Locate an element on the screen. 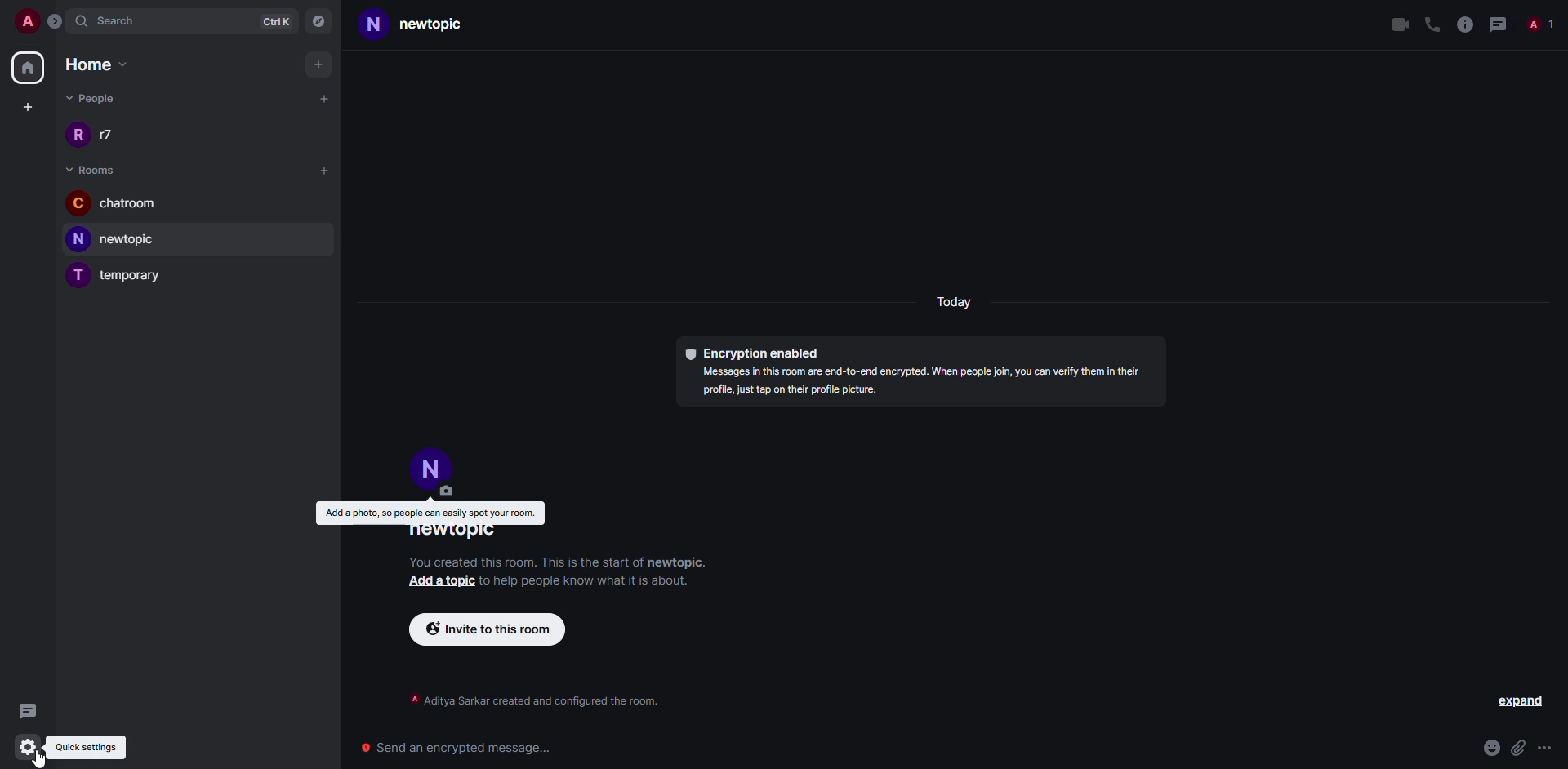 The image size is (1568, 769). create space is located at coordinates (26, 108).